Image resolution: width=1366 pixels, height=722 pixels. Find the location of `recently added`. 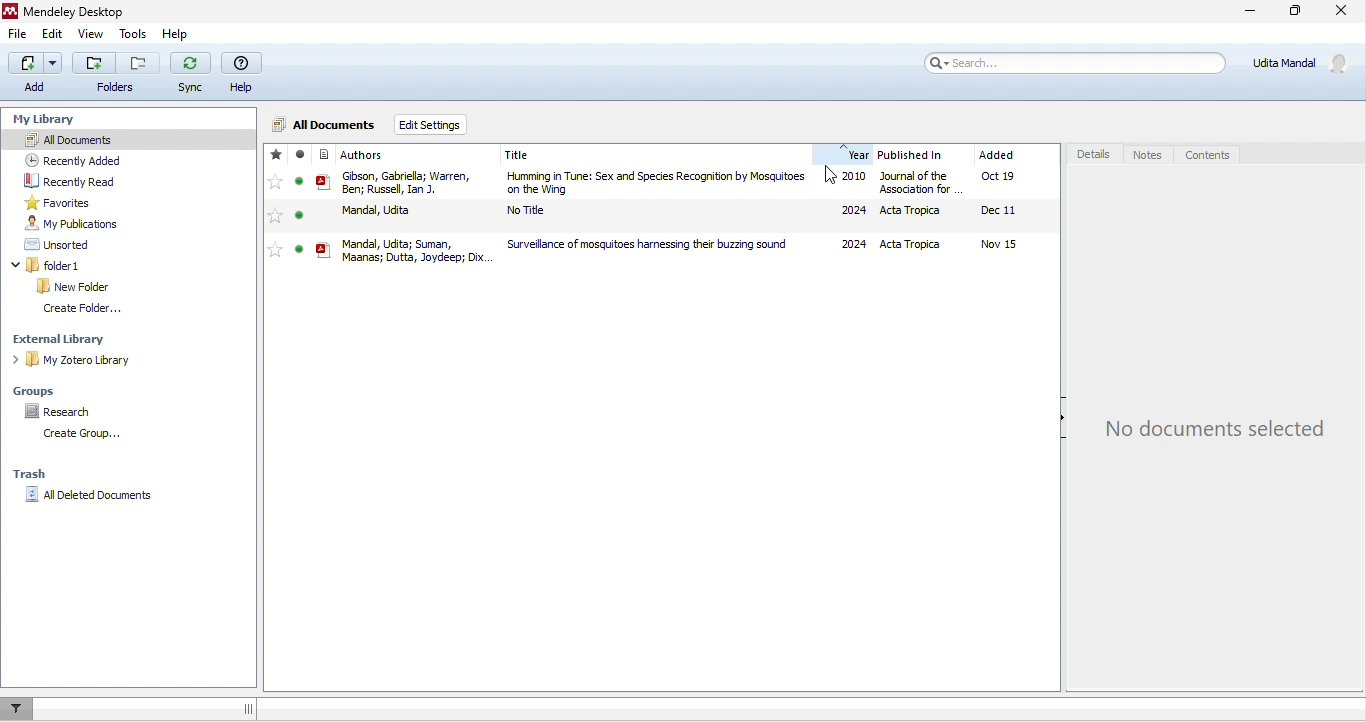

recently added is located at coordinates (67, 158).